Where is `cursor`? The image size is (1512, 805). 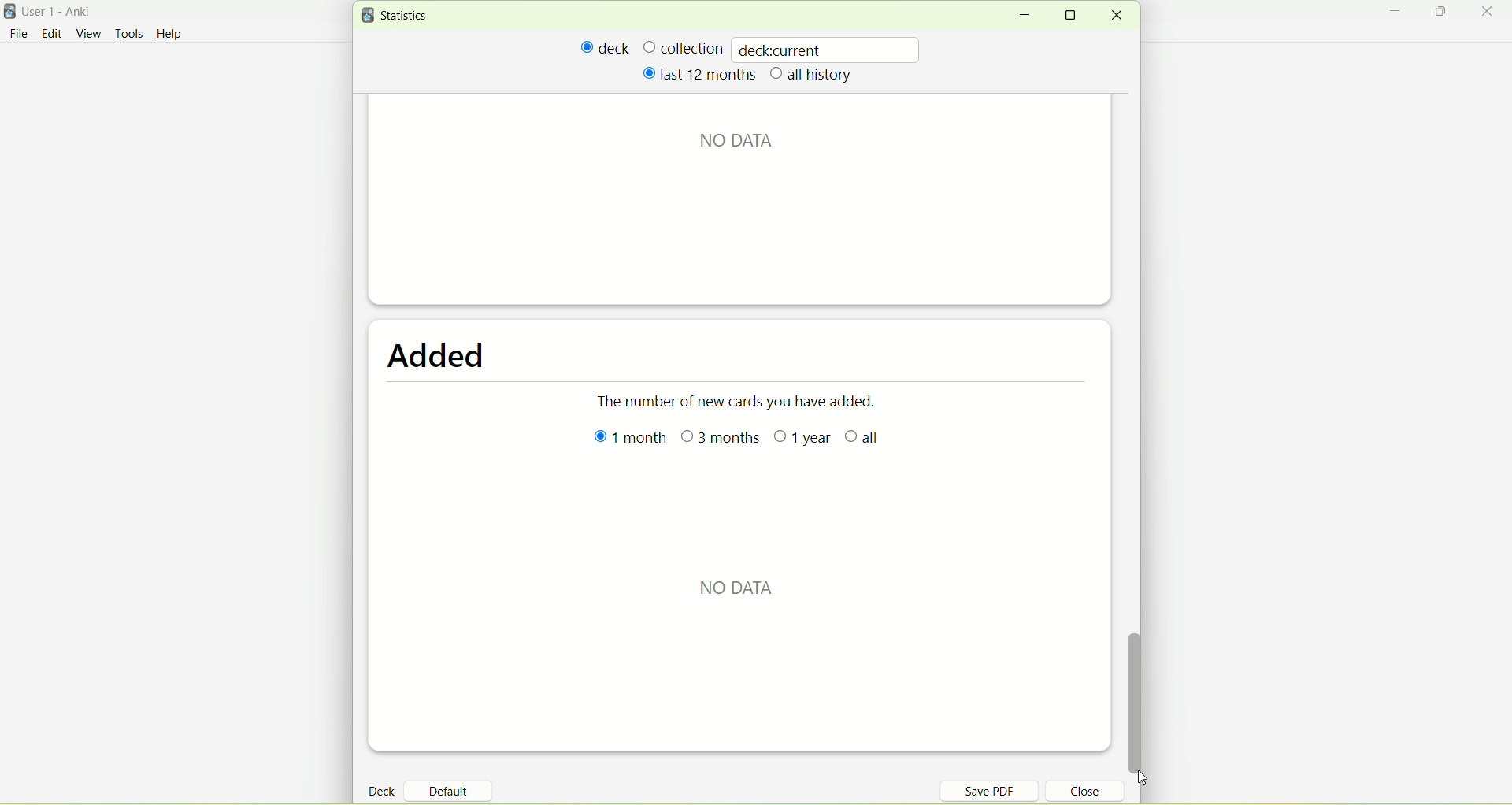 cursor is located at coordinates (1146, 780).